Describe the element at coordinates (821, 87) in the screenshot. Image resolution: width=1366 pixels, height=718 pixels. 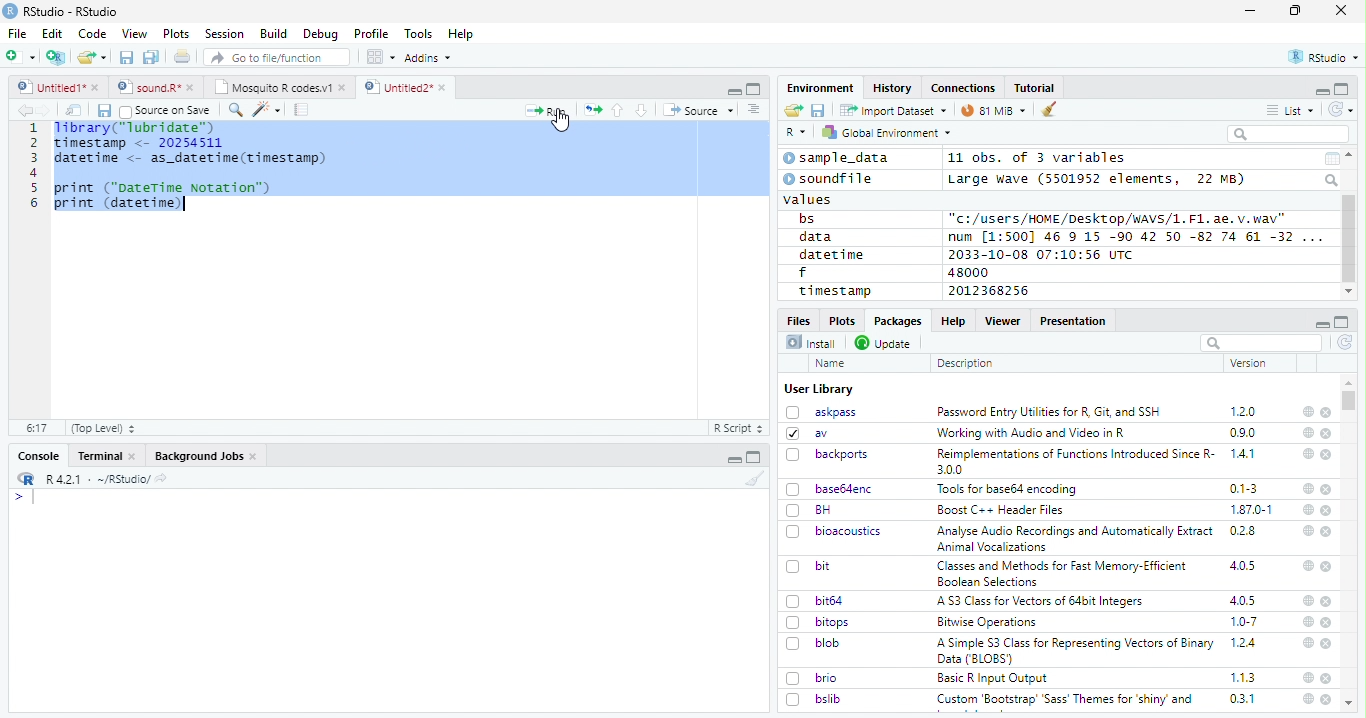
I see `Environment` at that location.